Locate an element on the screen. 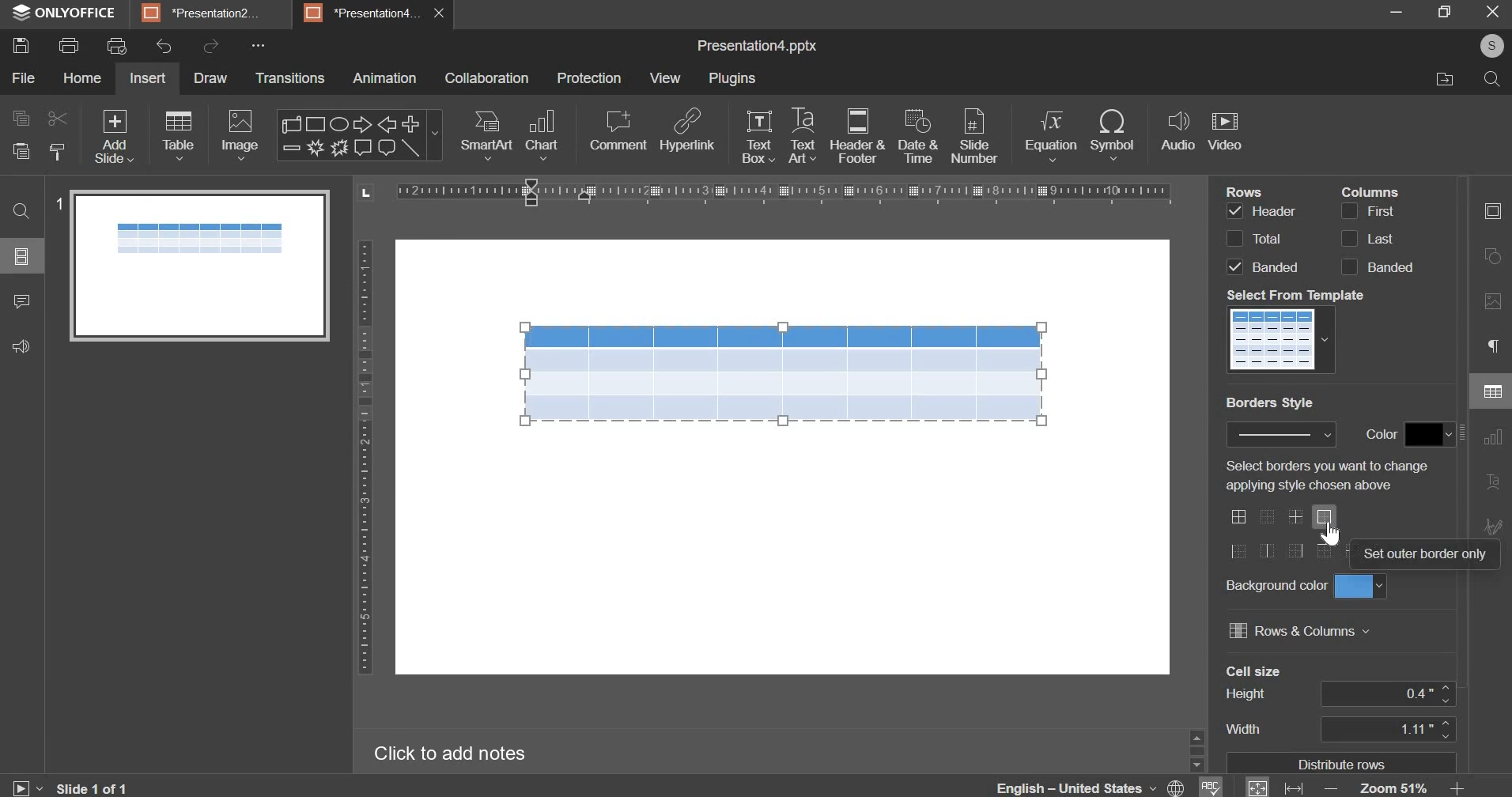 This screenshot has height=797, width=1512. search is located at coordinates (1491, 80).